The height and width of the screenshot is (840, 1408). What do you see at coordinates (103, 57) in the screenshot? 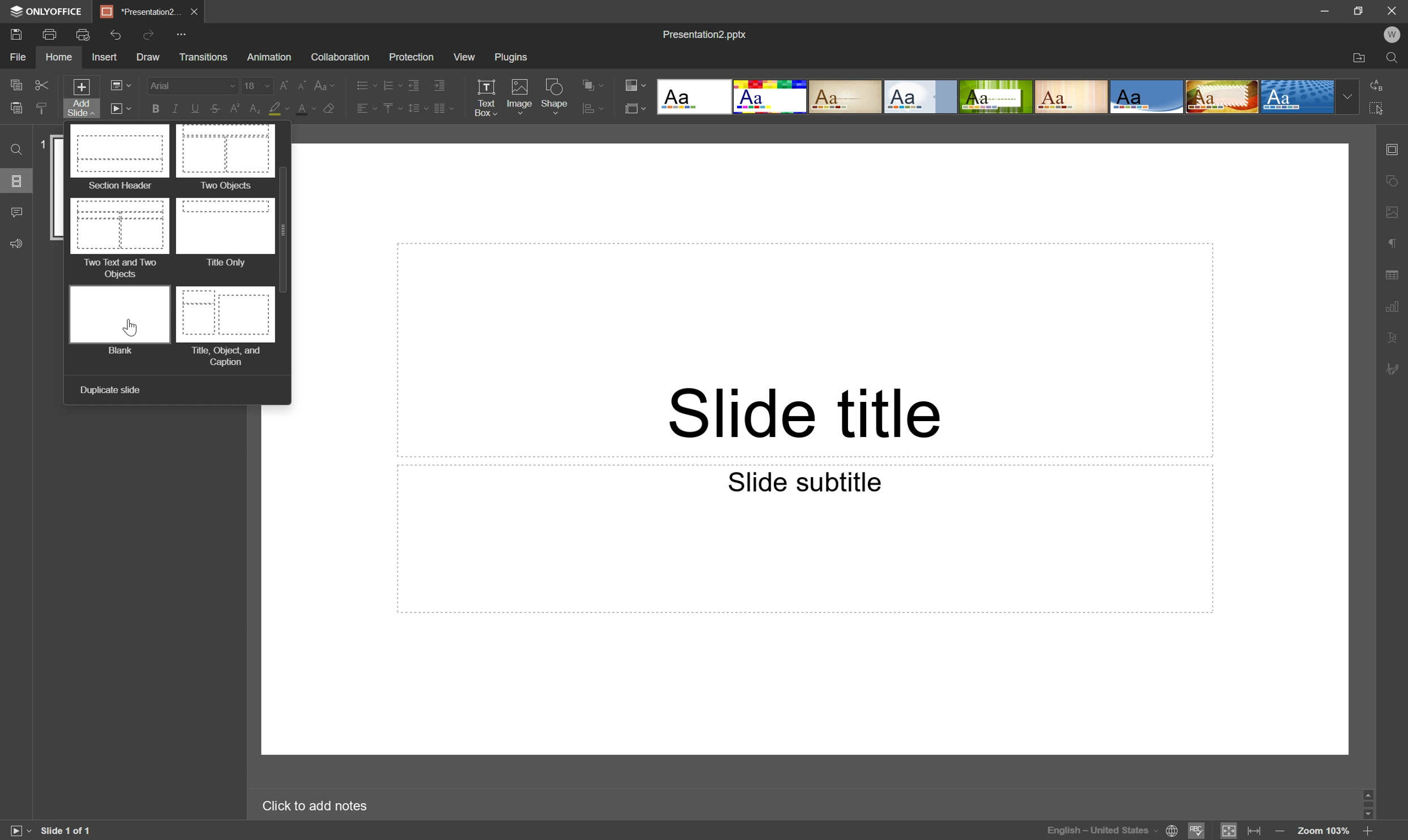
I see `Insert` at bounding box center [103, 57].